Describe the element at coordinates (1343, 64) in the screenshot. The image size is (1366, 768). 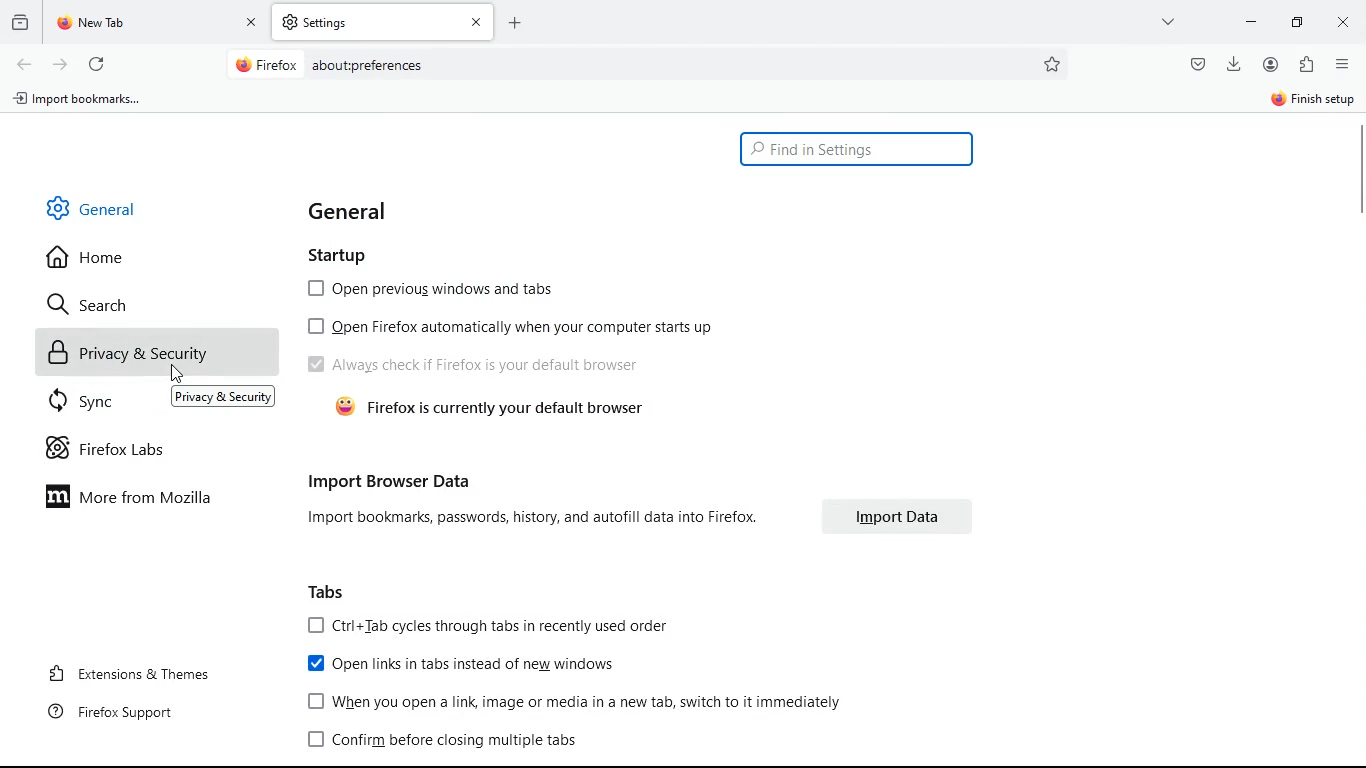
I see `menu` at that location.